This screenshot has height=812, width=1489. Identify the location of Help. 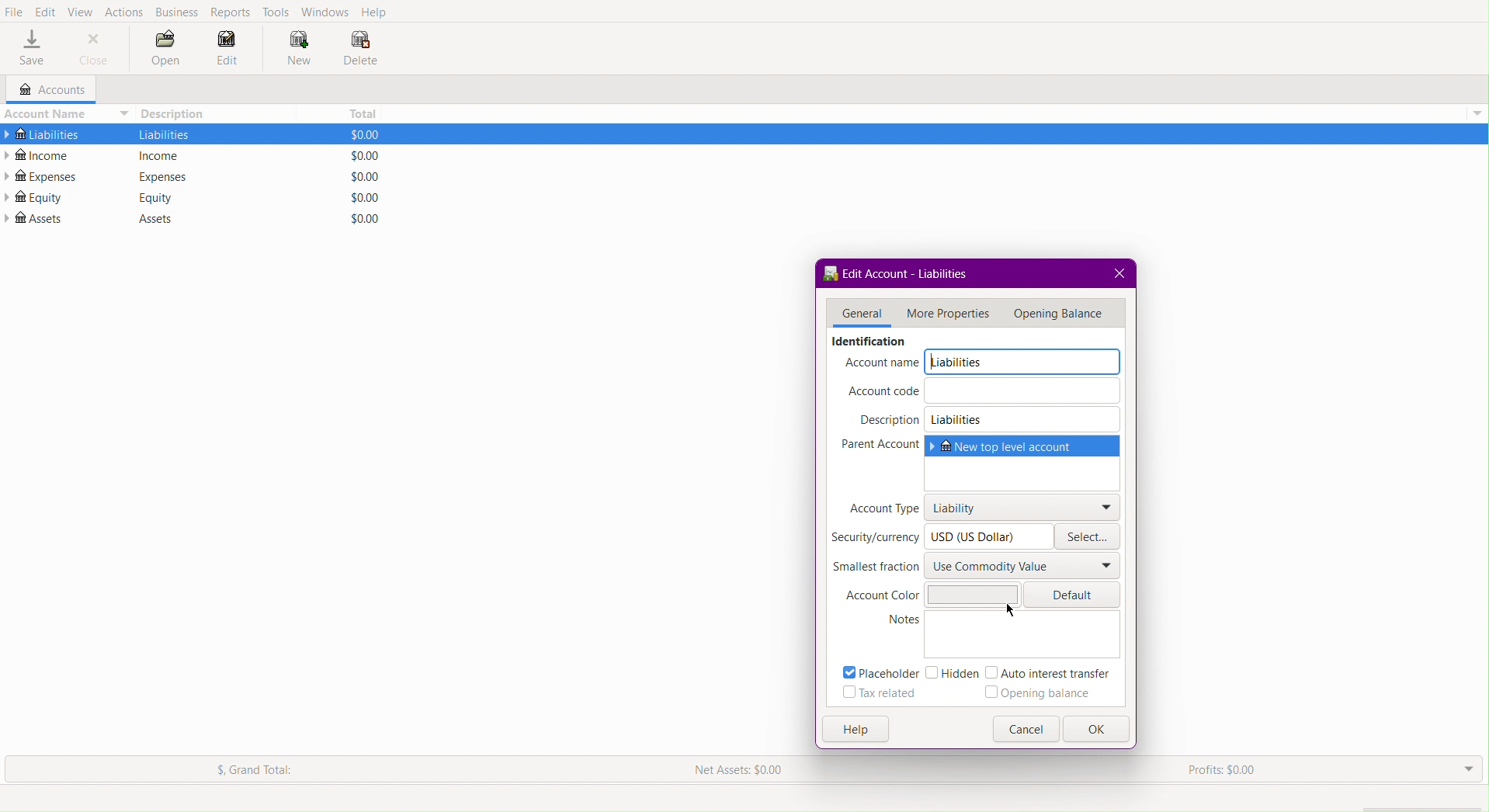
(853, 730).